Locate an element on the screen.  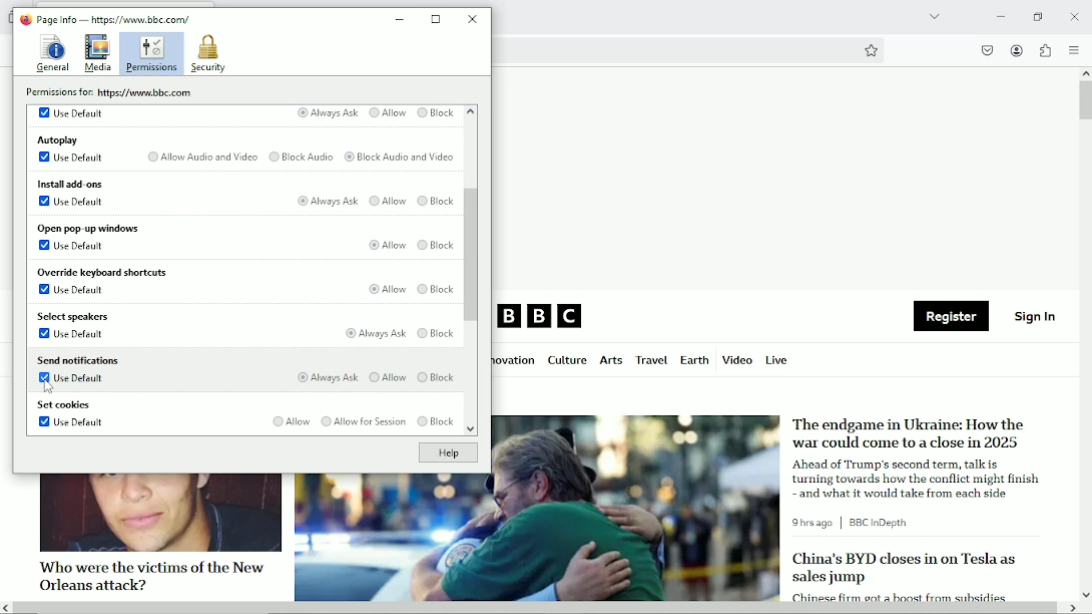
Media is located at coordinates (98, 54).